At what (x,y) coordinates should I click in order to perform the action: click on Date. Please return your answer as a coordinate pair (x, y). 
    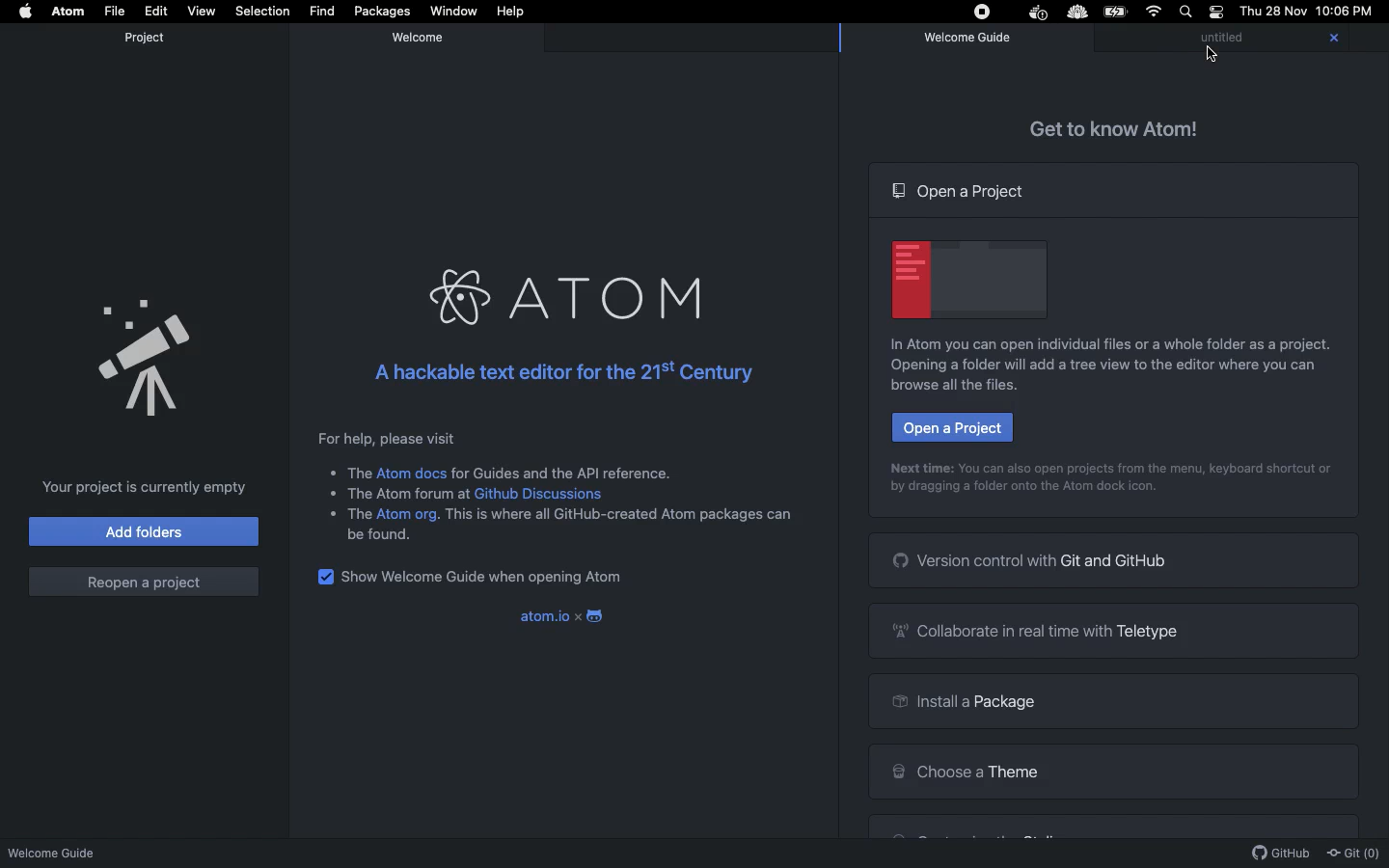
    Looking at the image, I should click on (1271, 12).